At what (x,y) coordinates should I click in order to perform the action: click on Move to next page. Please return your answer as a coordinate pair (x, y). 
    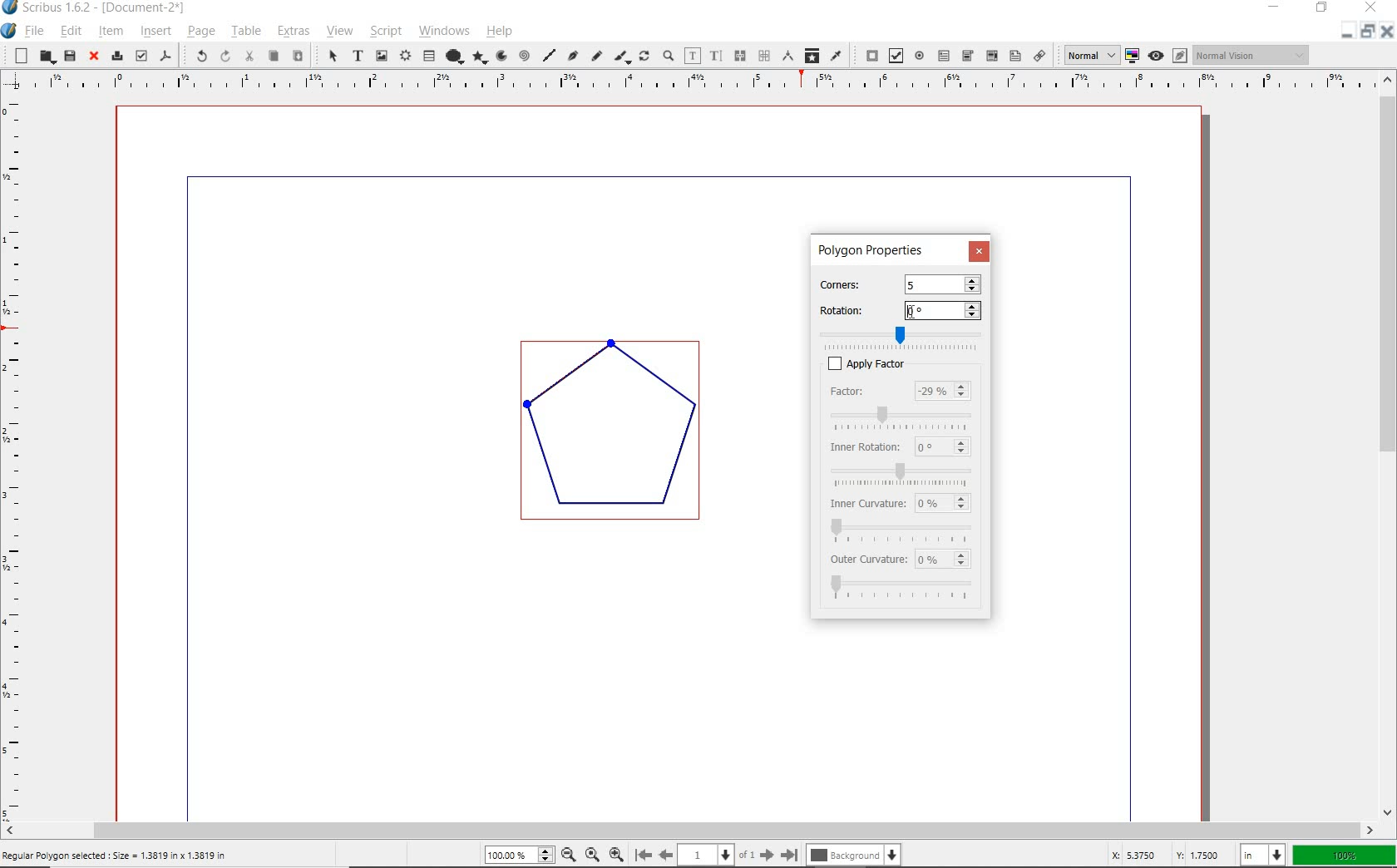
    Looking at the image, I should click on (760, 855).